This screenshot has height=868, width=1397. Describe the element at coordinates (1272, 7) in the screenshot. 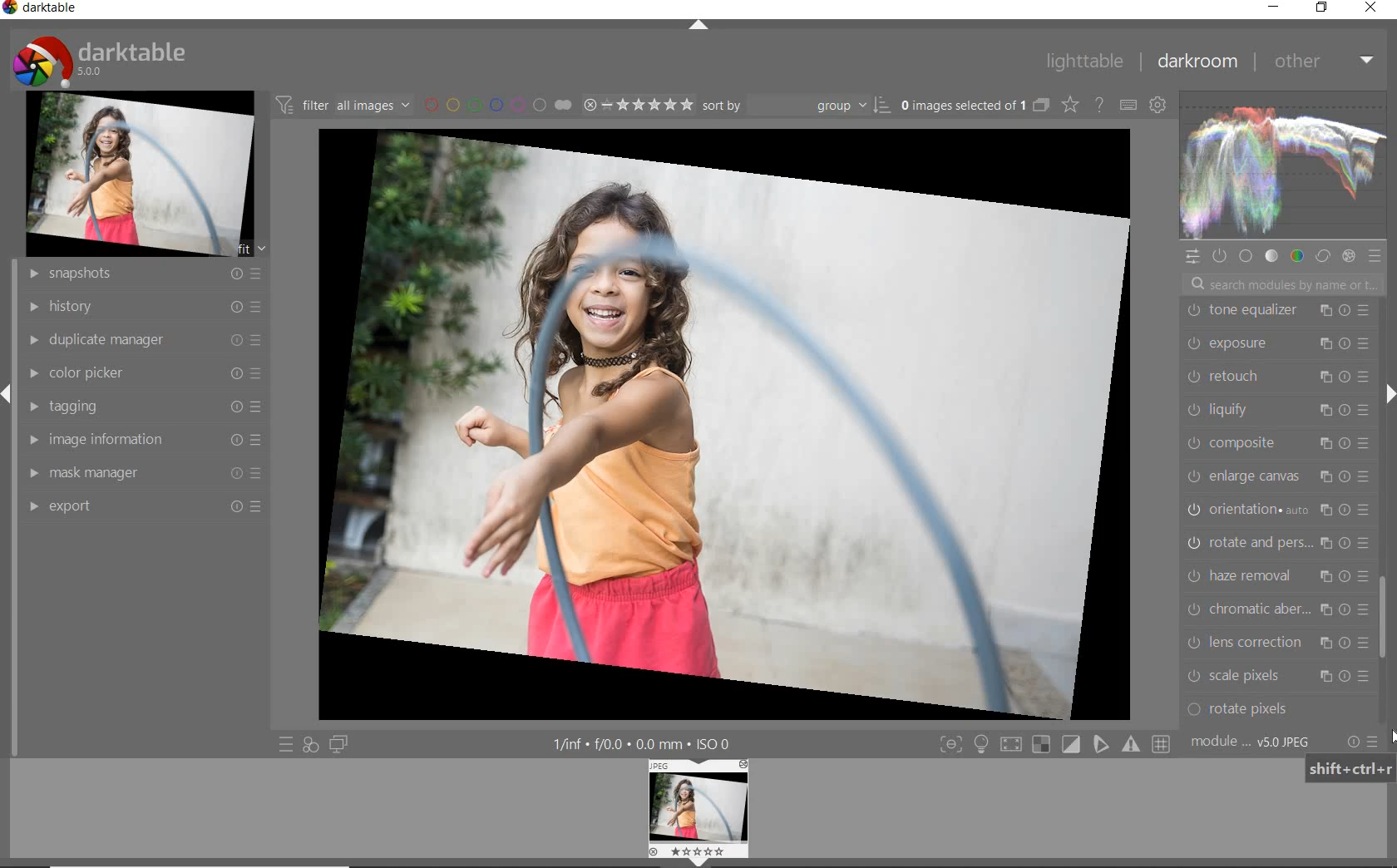

I see `minimize` at that location.